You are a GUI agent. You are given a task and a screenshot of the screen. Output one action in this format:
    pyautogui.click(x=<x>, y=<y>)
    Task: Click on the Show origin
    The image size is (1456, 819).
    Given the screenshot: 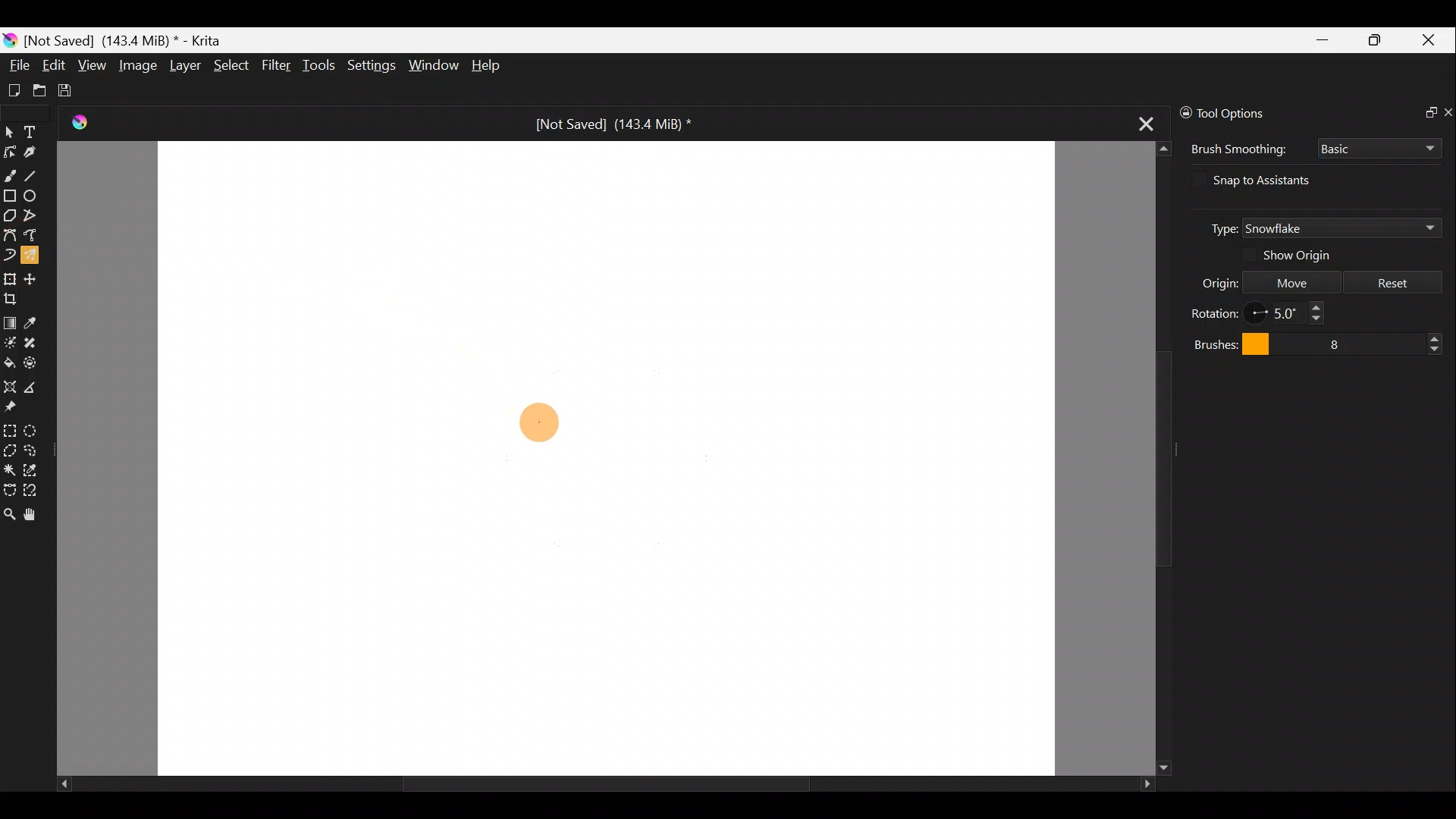 What is the action you would take?
    pyautogui.click(x=1307, y=256)
    